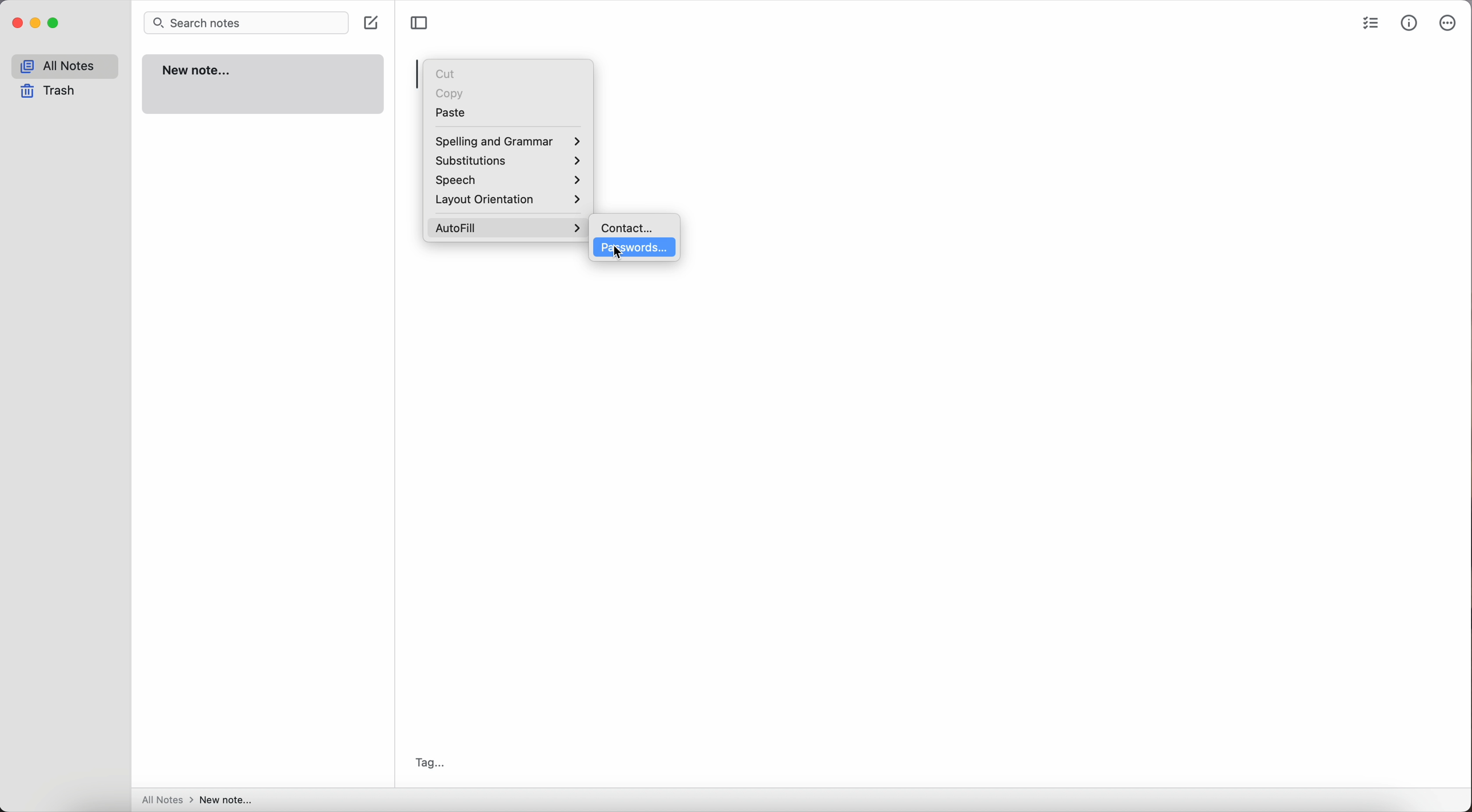 The image size is (1472, 812). I want to click on minimize Simplenote, so click(38, 23).